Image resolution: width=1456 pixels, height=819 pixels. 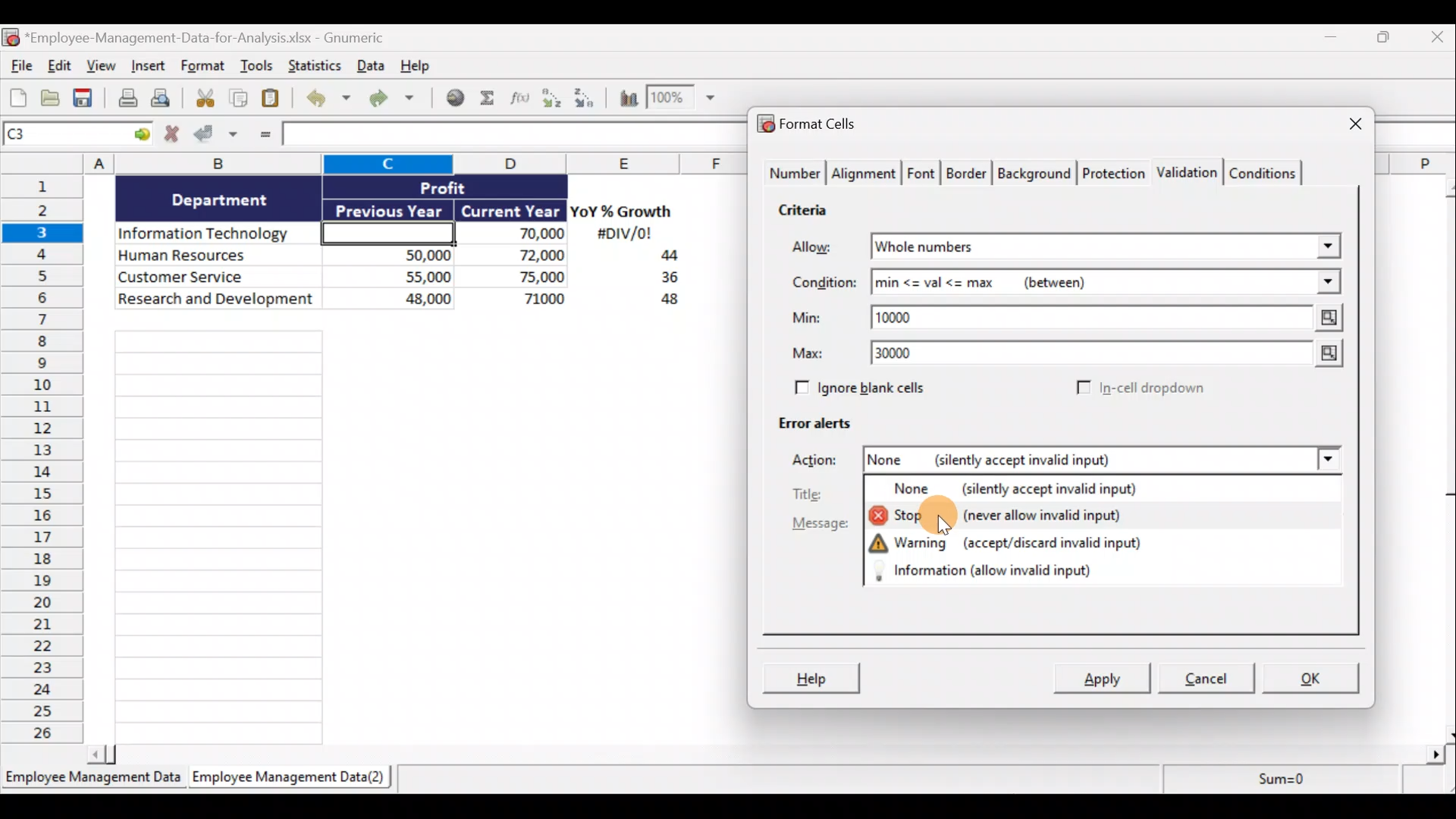 I want to click on Columns, so click(x=380, y=163).